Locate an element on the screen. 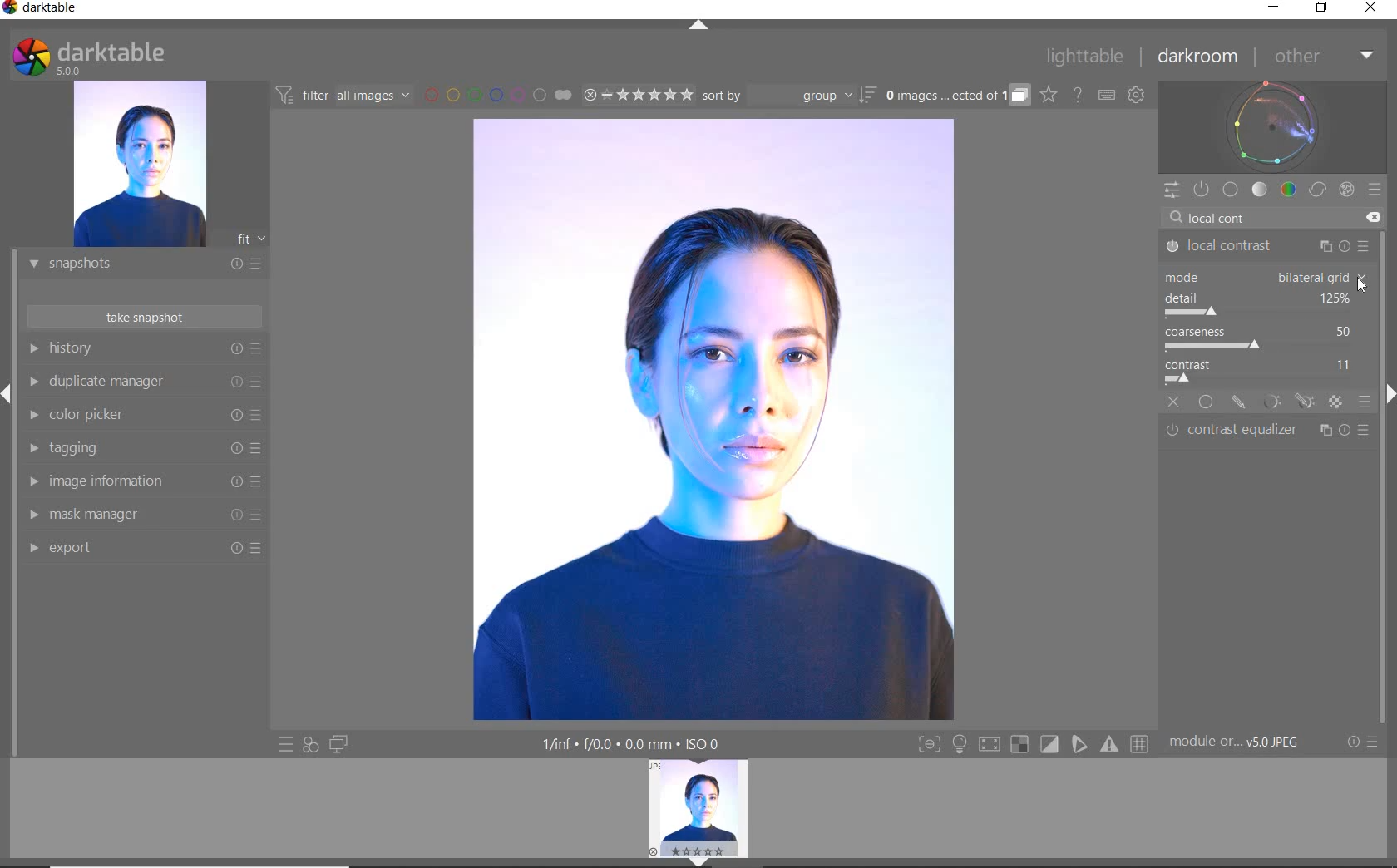 The width and height of the screenshot is (1397, 868). Search is located at coordinates (1176, 218).